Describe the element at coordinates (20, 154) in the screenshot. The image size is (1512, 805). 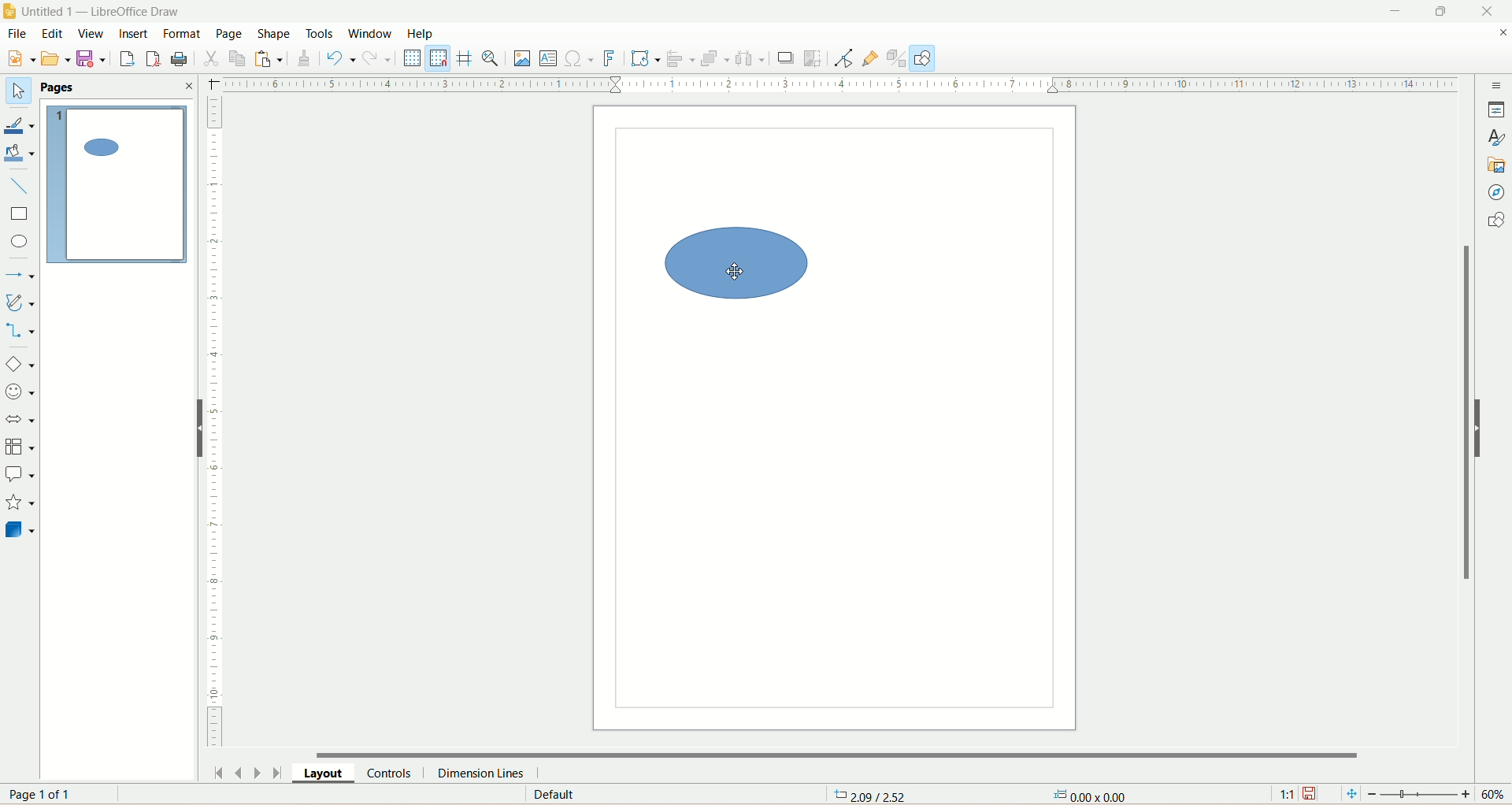
I see `fill color` at that location.